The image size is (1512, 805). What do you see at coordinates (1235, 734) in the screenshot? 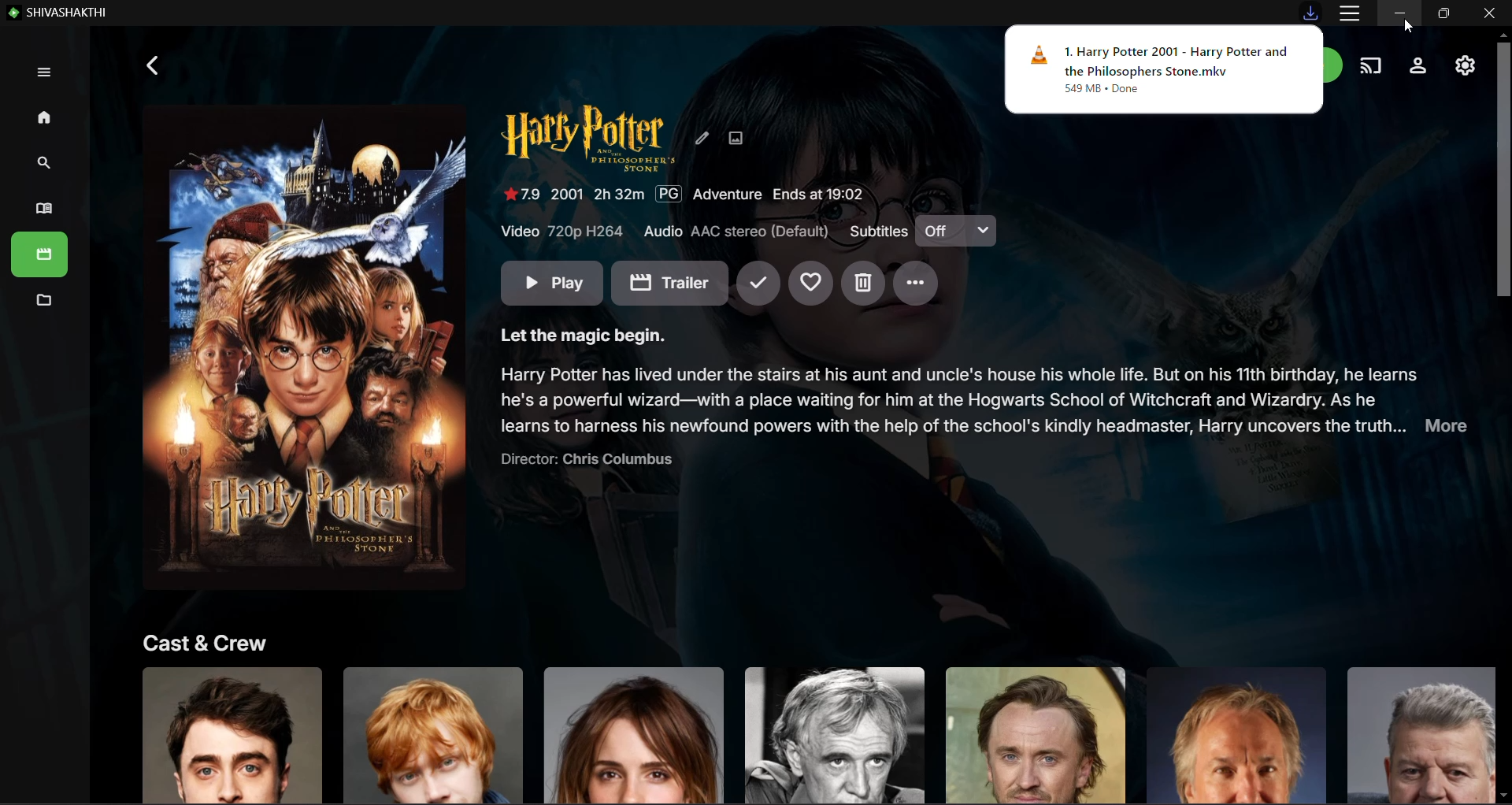
I see `Click to know more about actor` at bounding box center [1235, 734].